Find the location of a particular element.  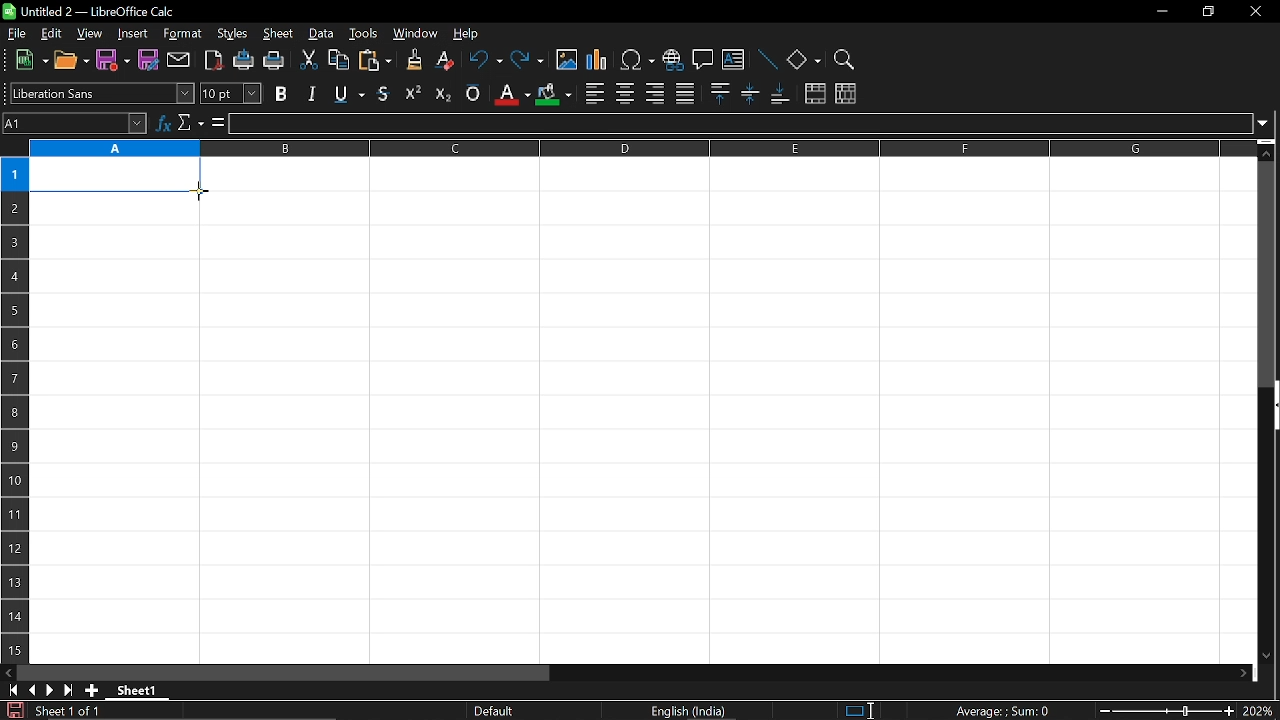

Name box is located at coordinates (75, 124).